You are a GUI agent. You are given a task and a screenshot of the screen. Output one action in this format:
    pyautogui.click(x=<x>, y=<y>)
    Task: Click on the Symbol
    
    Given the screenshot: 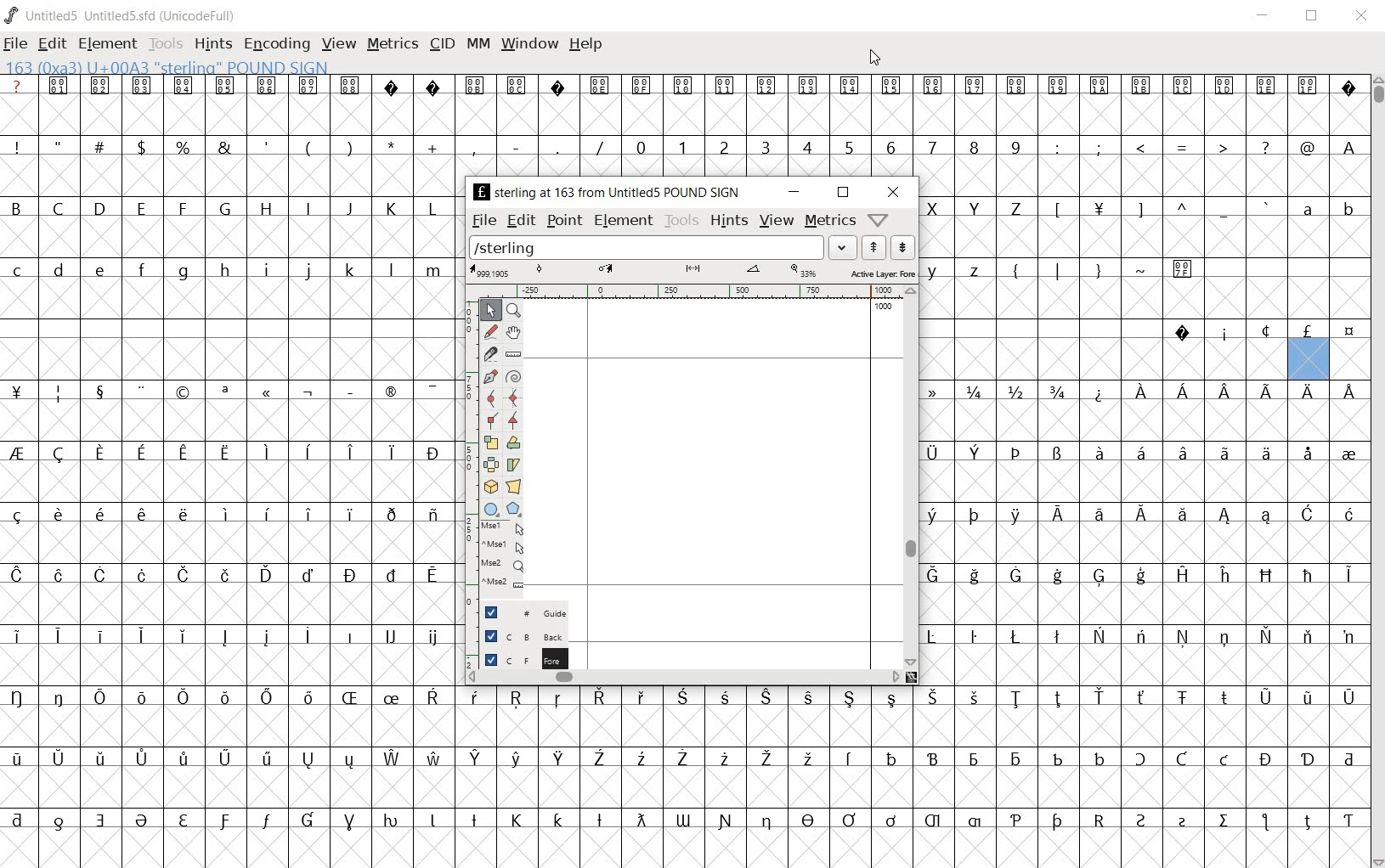 What is the action you would take?
    pyautogui.click(x=724, y=759)
    